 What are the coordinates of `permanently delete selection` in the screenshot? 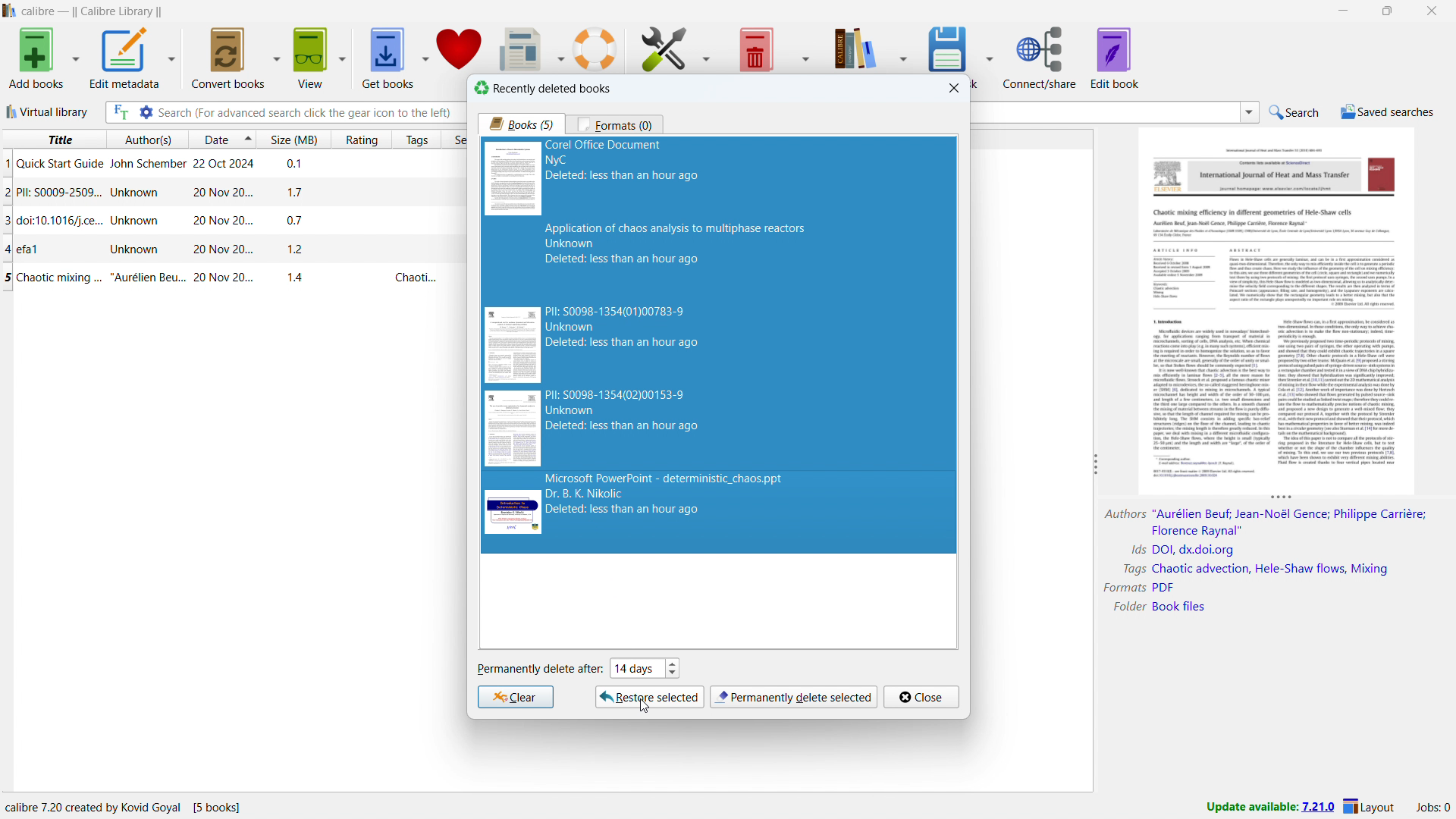 It's located at (793, 698).